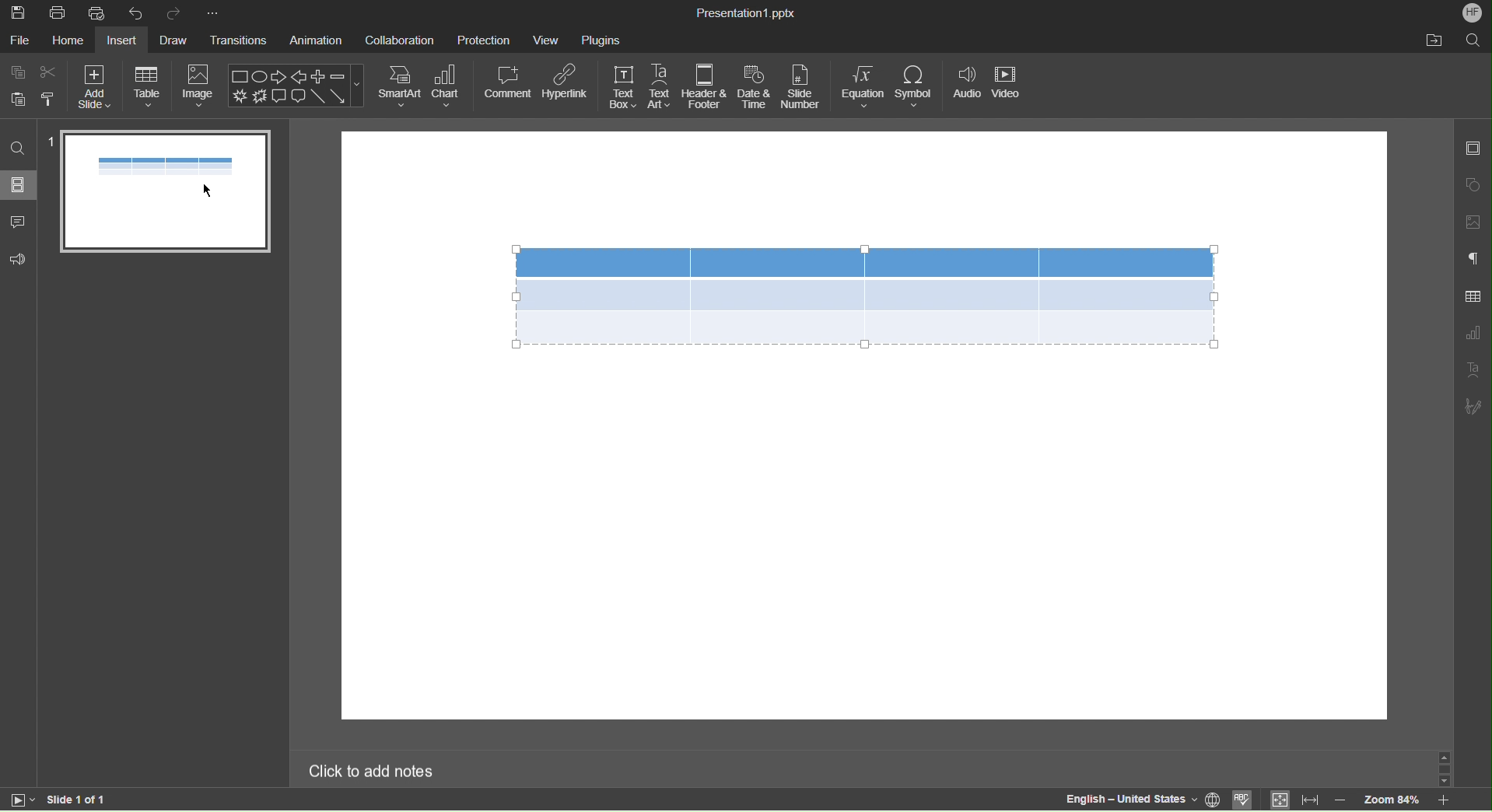  Describe the element at coordinates (19, 72) in the screenshot. I see `Copy` at that location.